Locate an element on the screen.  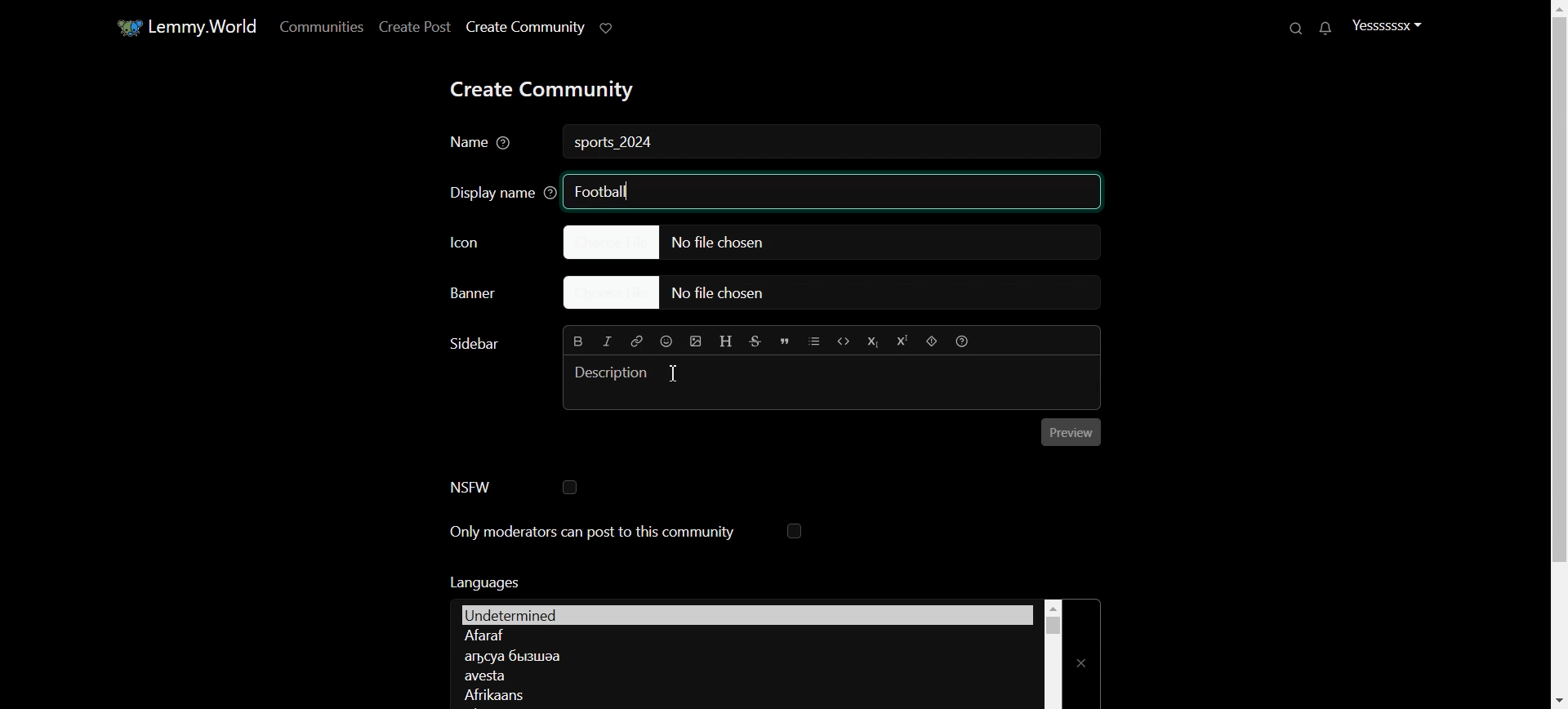
 is located at coordinates (544, 91).